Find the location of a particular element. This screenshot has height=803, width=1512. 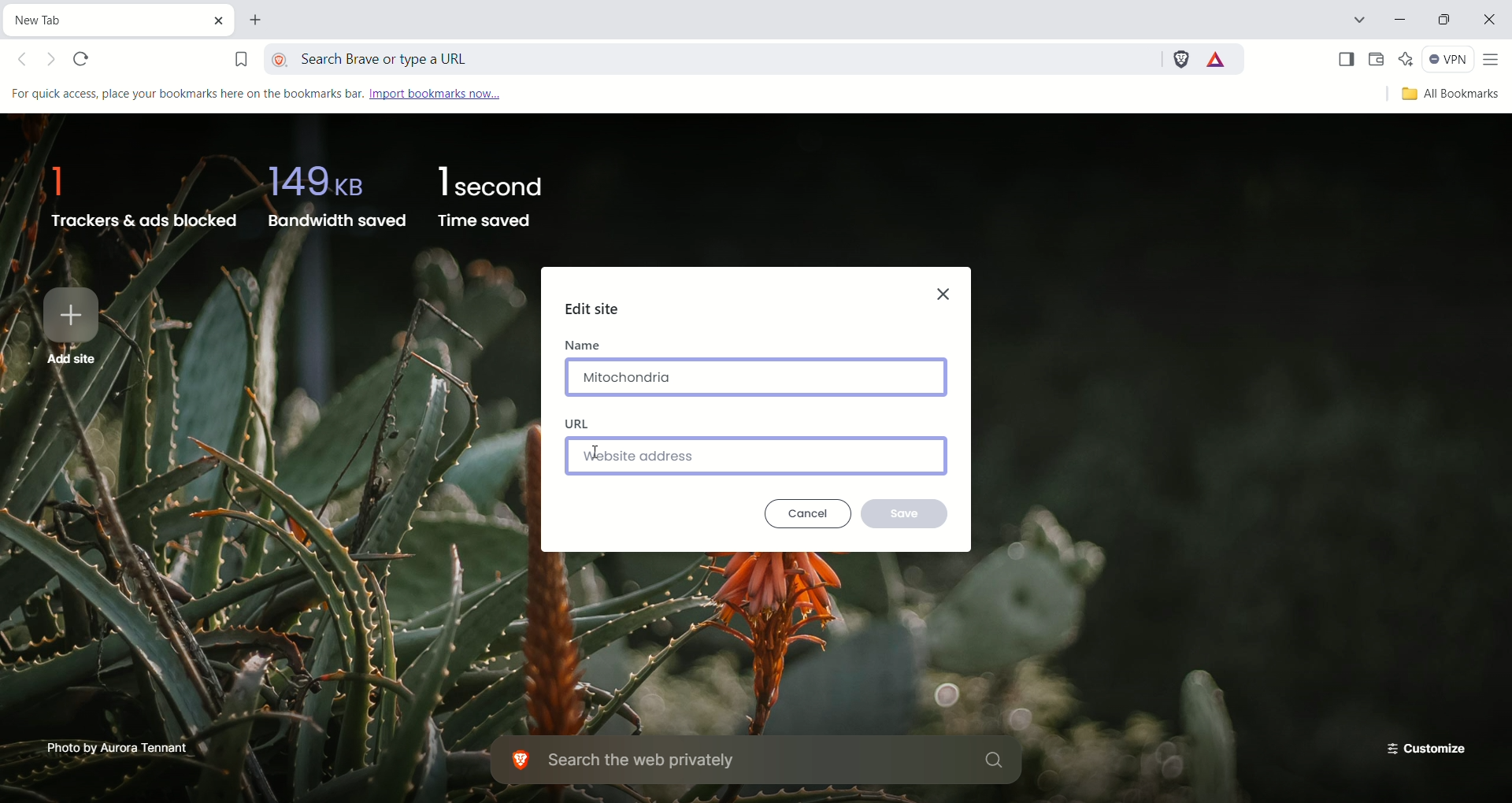

customize is located at coordinates (1421, 746).